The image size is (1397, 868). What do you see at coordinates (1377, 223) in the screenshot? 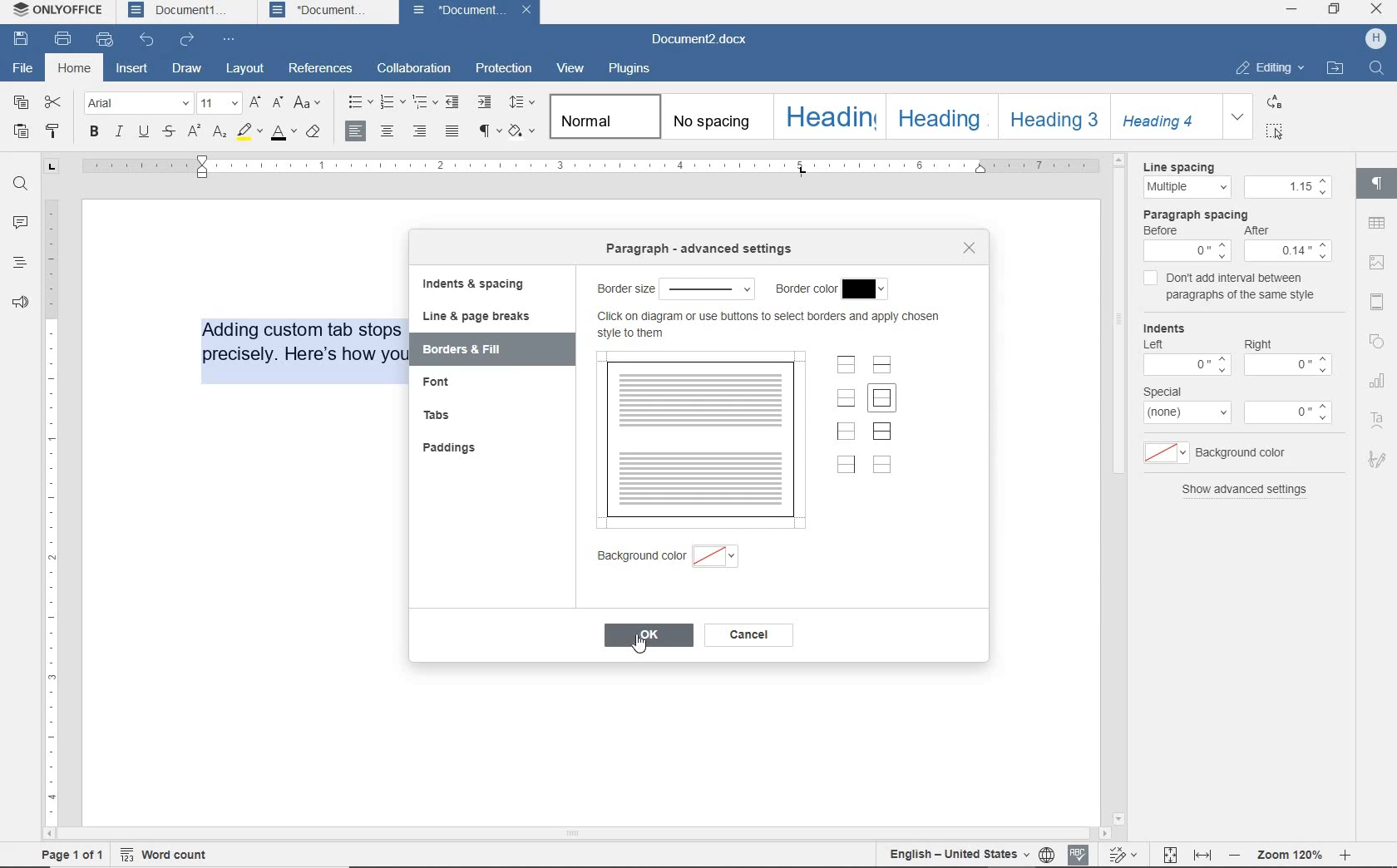
I see `table` at bounding box center [1377, 223].